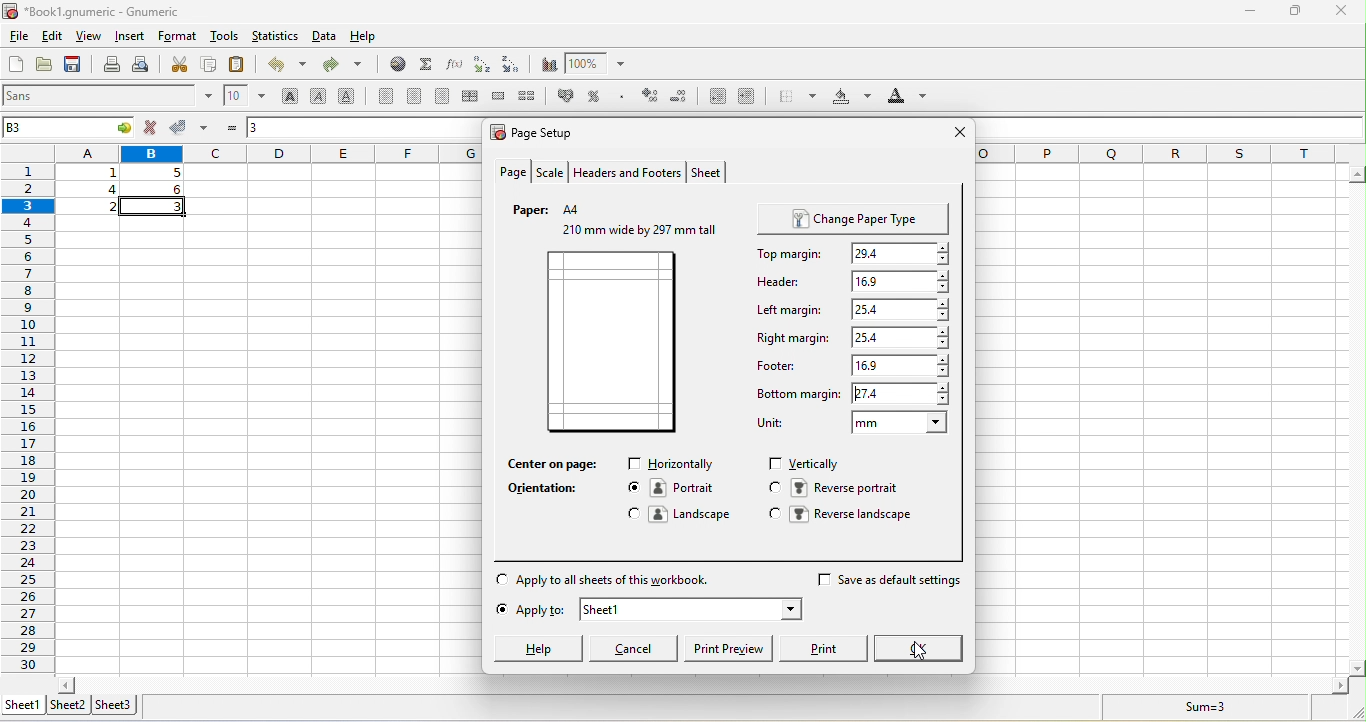  Describe the element at coordinates (71, 705) in the screenshot. I see `sheet 2` at that location.